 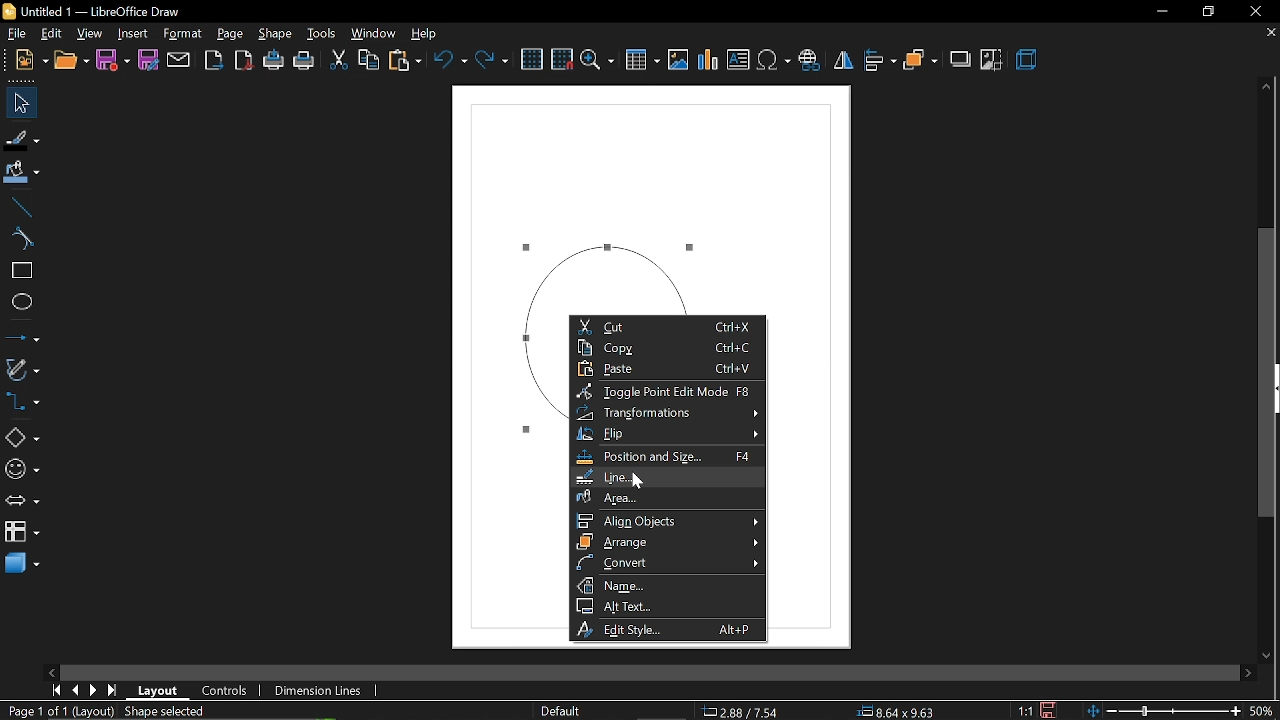 I want to click on move down, so click(x=1270, y=656).